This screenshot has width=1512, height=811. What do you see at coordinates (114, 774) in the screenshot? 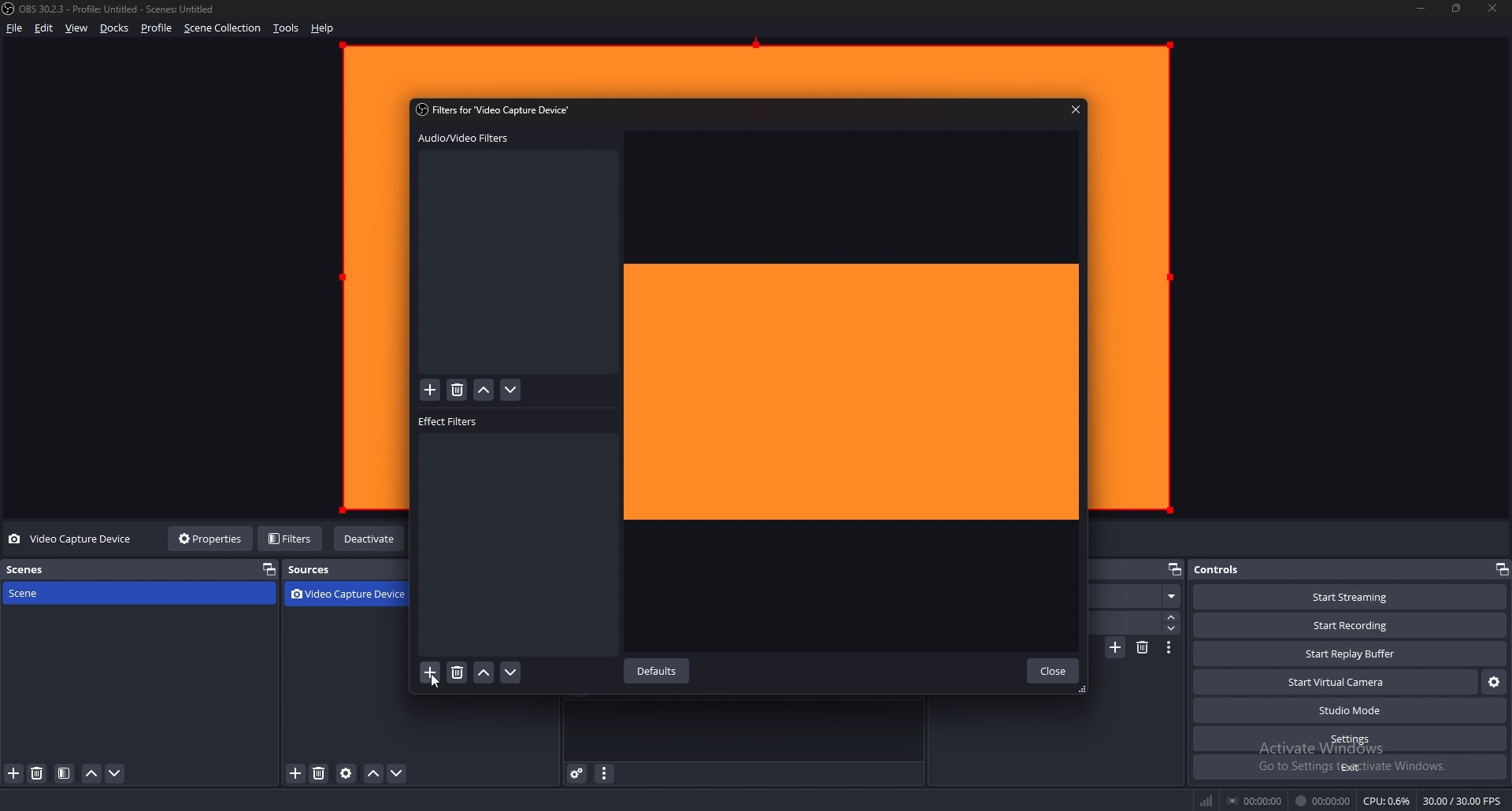
I see `move scene down` at bounding box center [114, 774].